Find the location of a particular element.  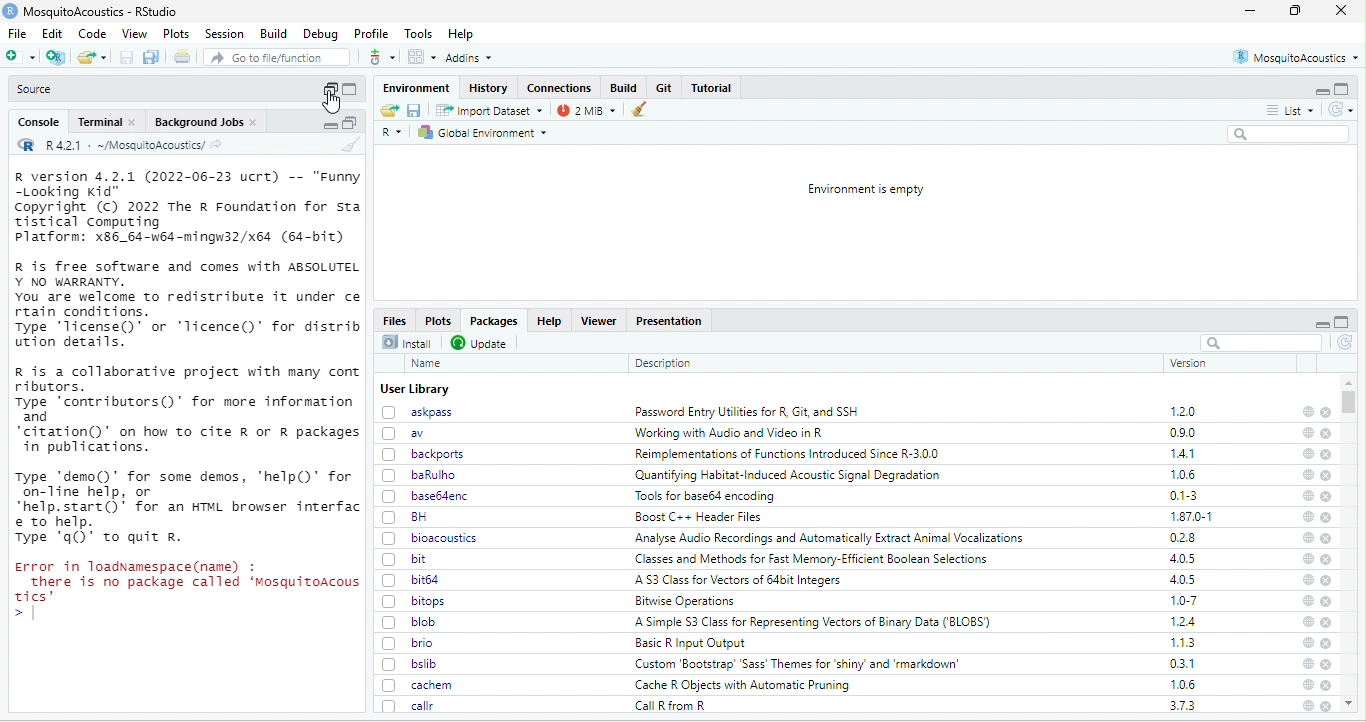

Console is located at coordinates (39, 122).